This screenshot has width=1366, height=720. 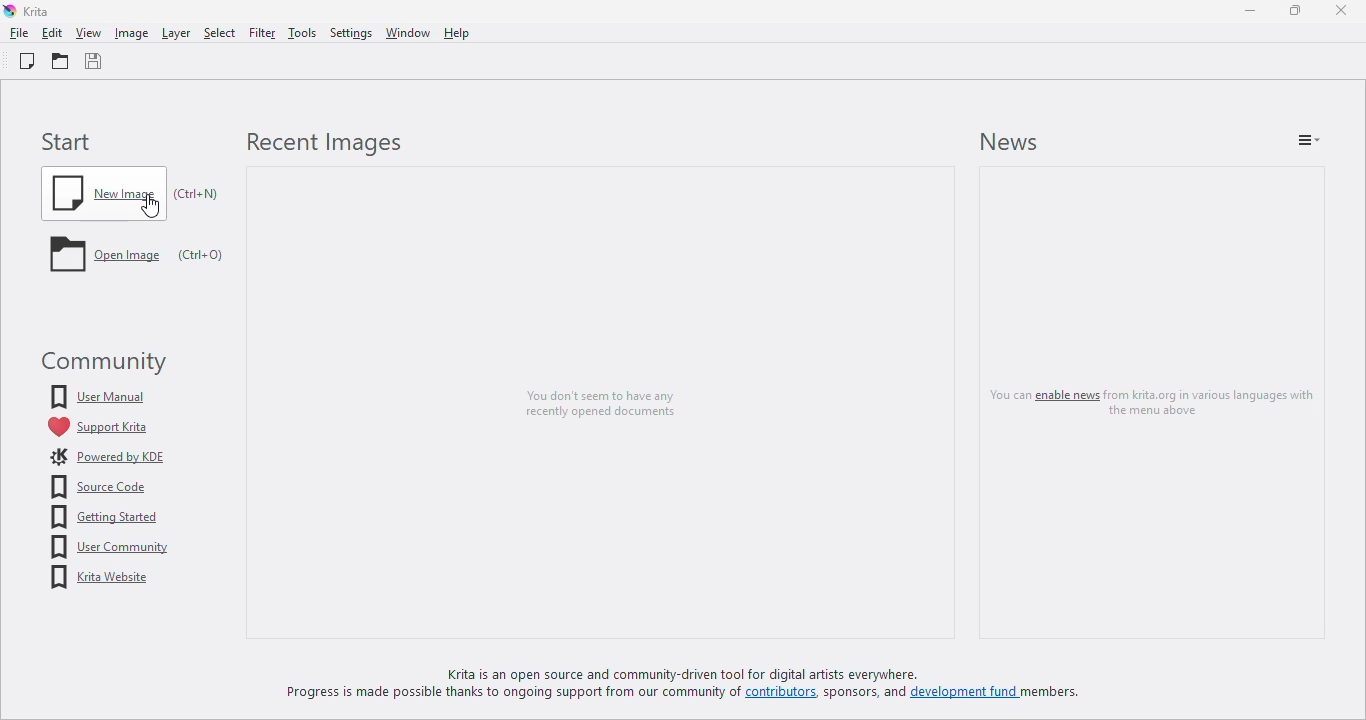 I want to click on support krita, so click(x=97, y=427).